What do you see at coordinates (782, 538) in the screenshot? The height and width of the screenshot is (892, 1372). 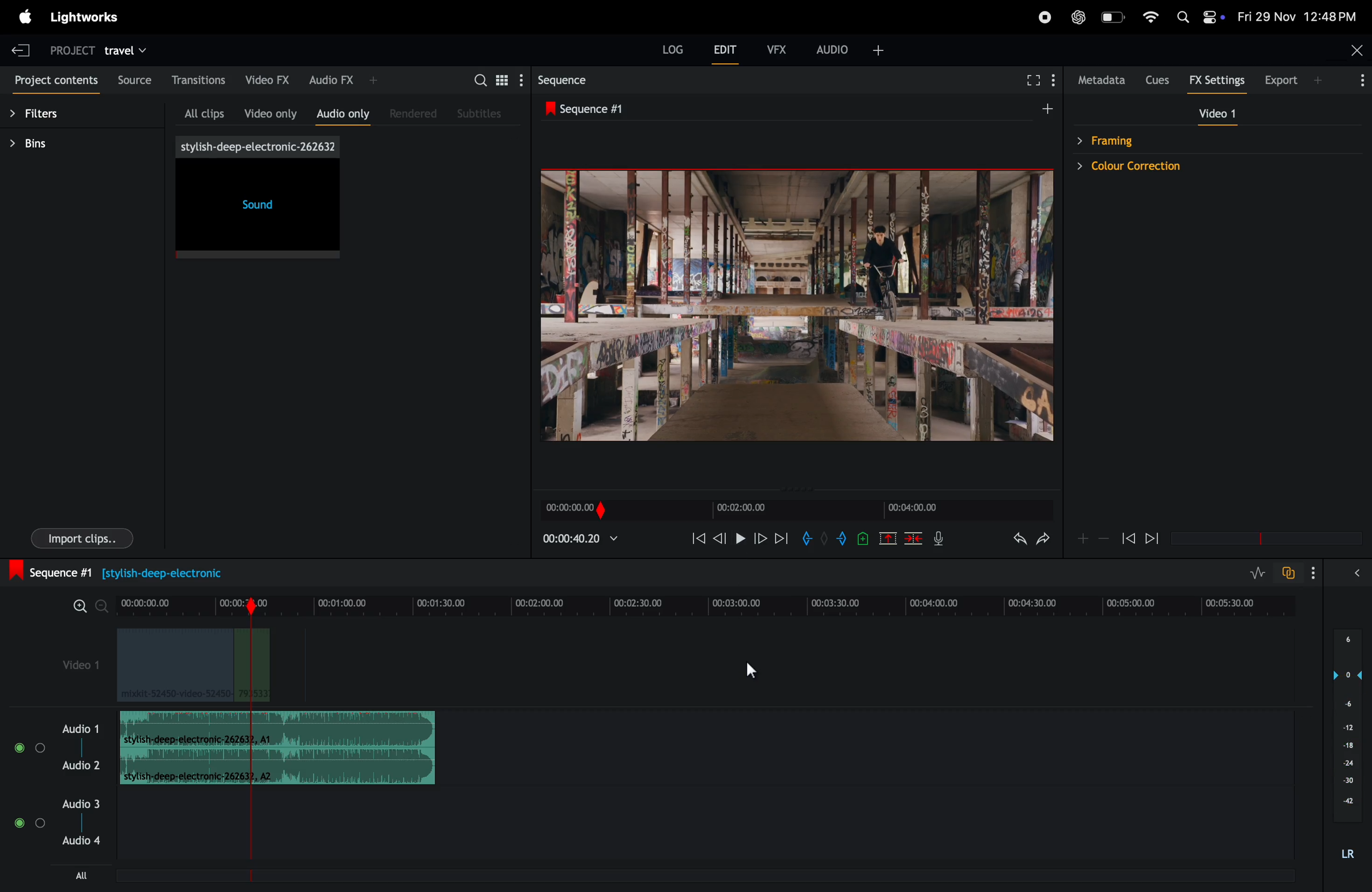 I see `next` at bounding box center [782, 538].